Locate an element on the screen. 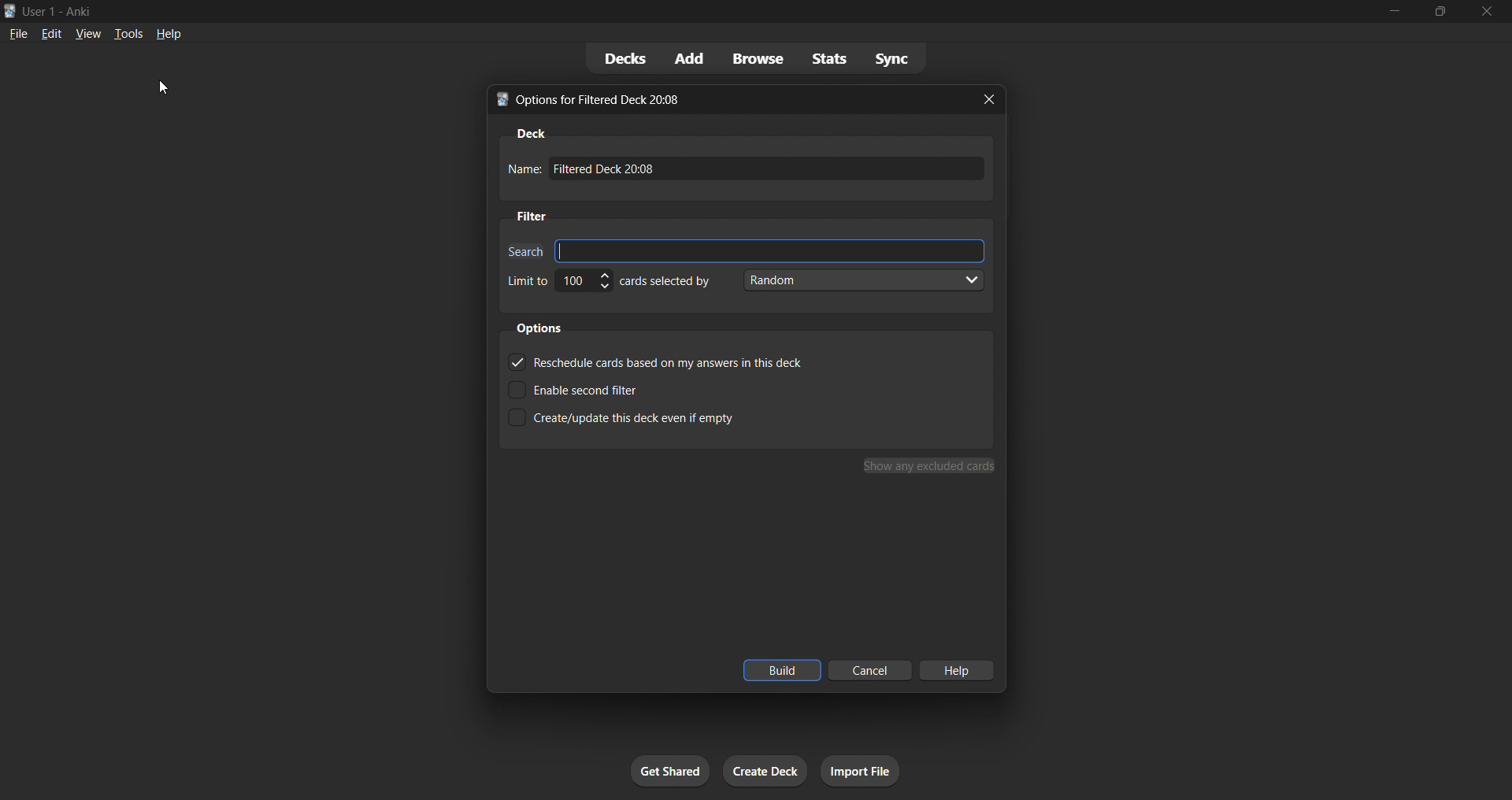 The width and height of the screenshot is (1512, 800). get shared is located at coordinates (672, 770).